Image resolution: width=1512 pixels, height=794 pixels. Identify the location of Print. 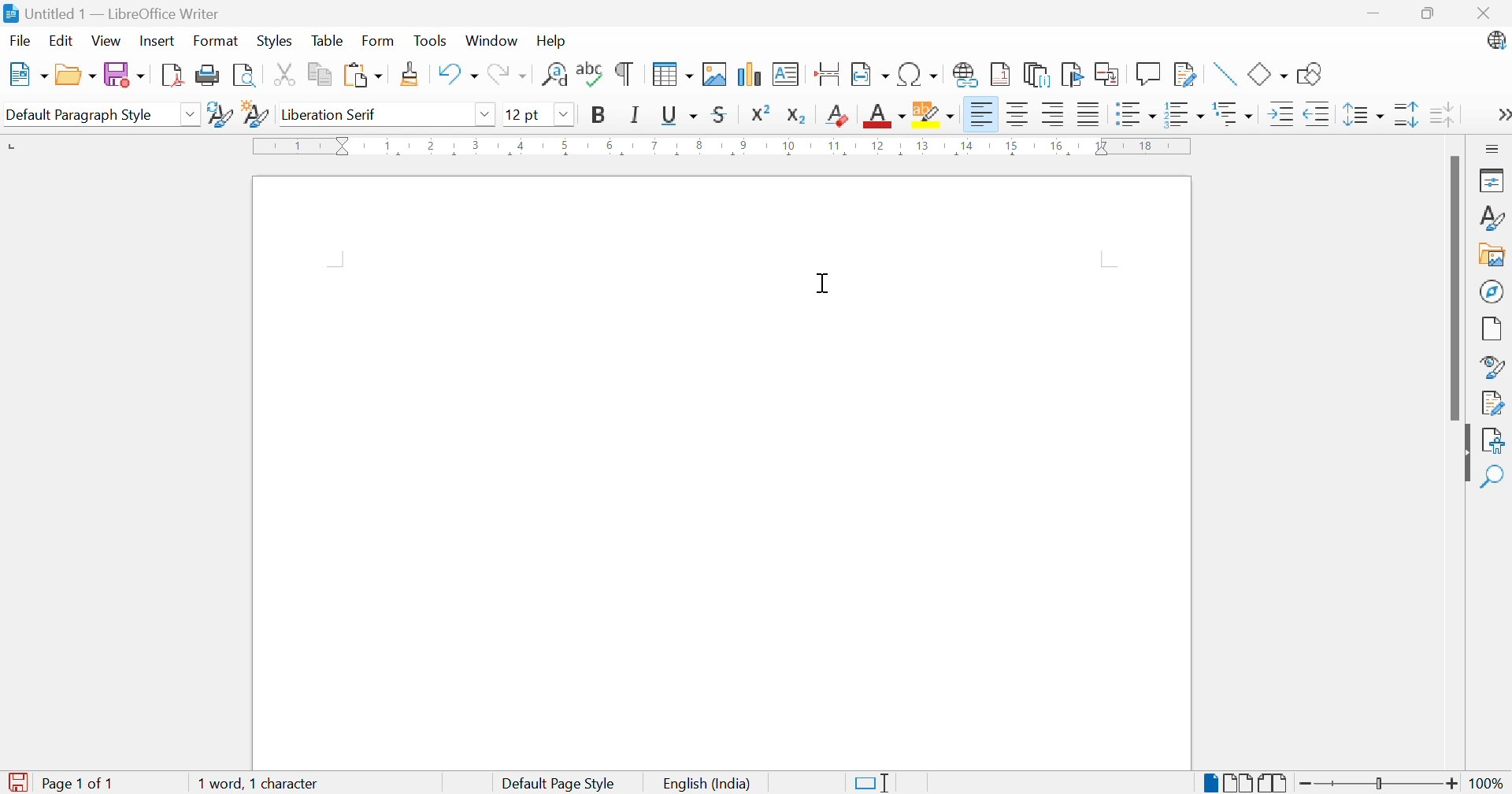
(206, 76).